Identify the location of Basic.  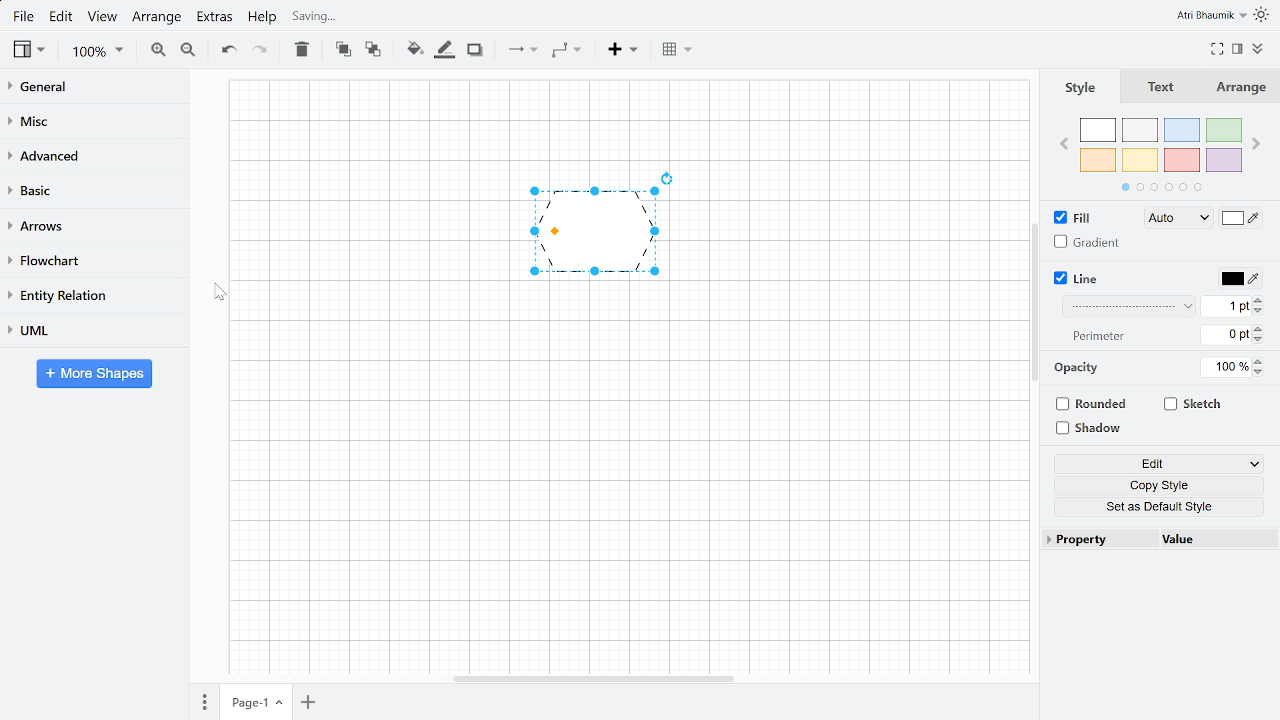
(93, 190).